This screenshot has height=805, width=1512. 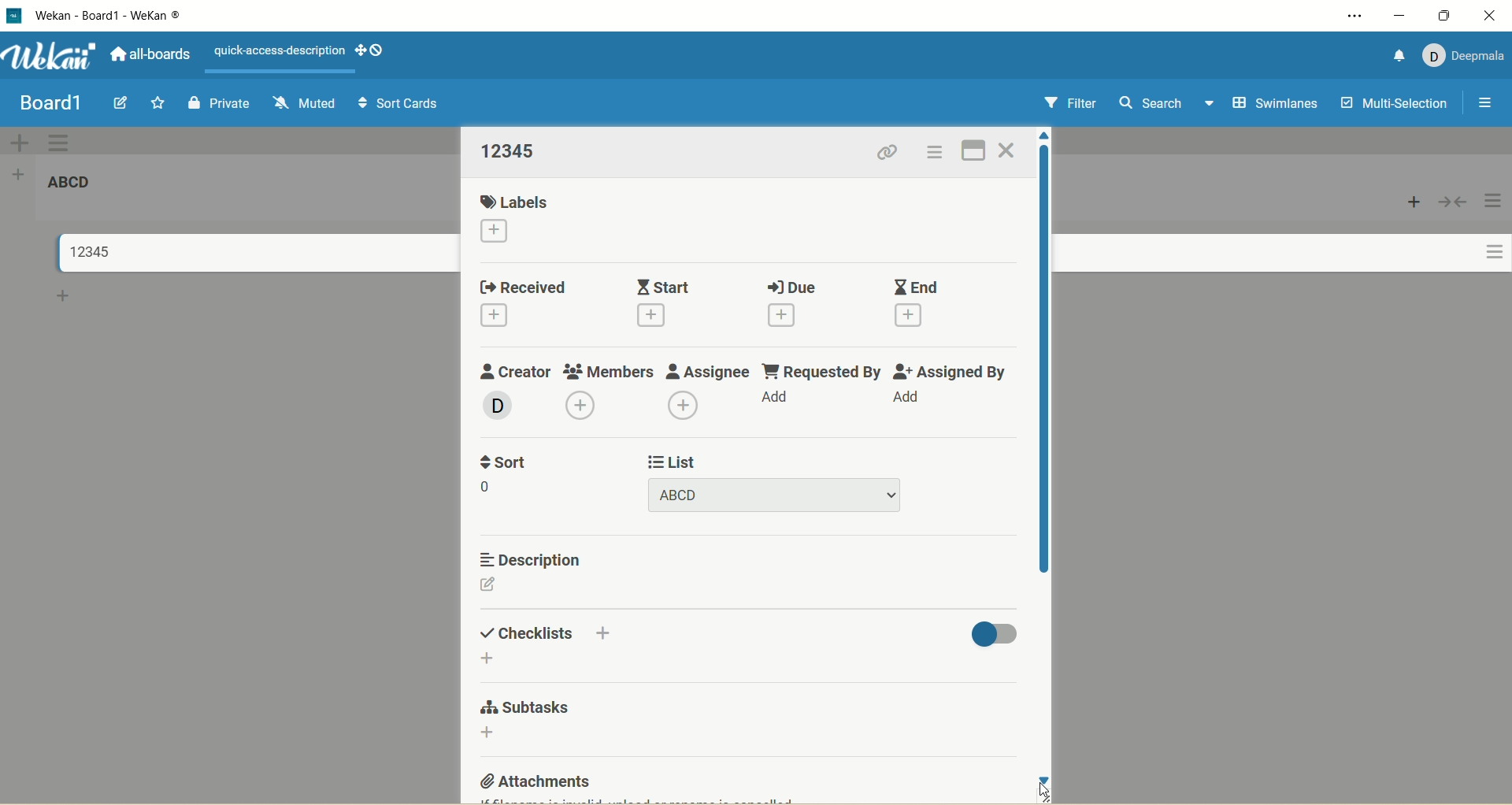 What do you see at coordinates (1166, 105) in the screenshot?
I see `search` at bounding box center [1166, 105].